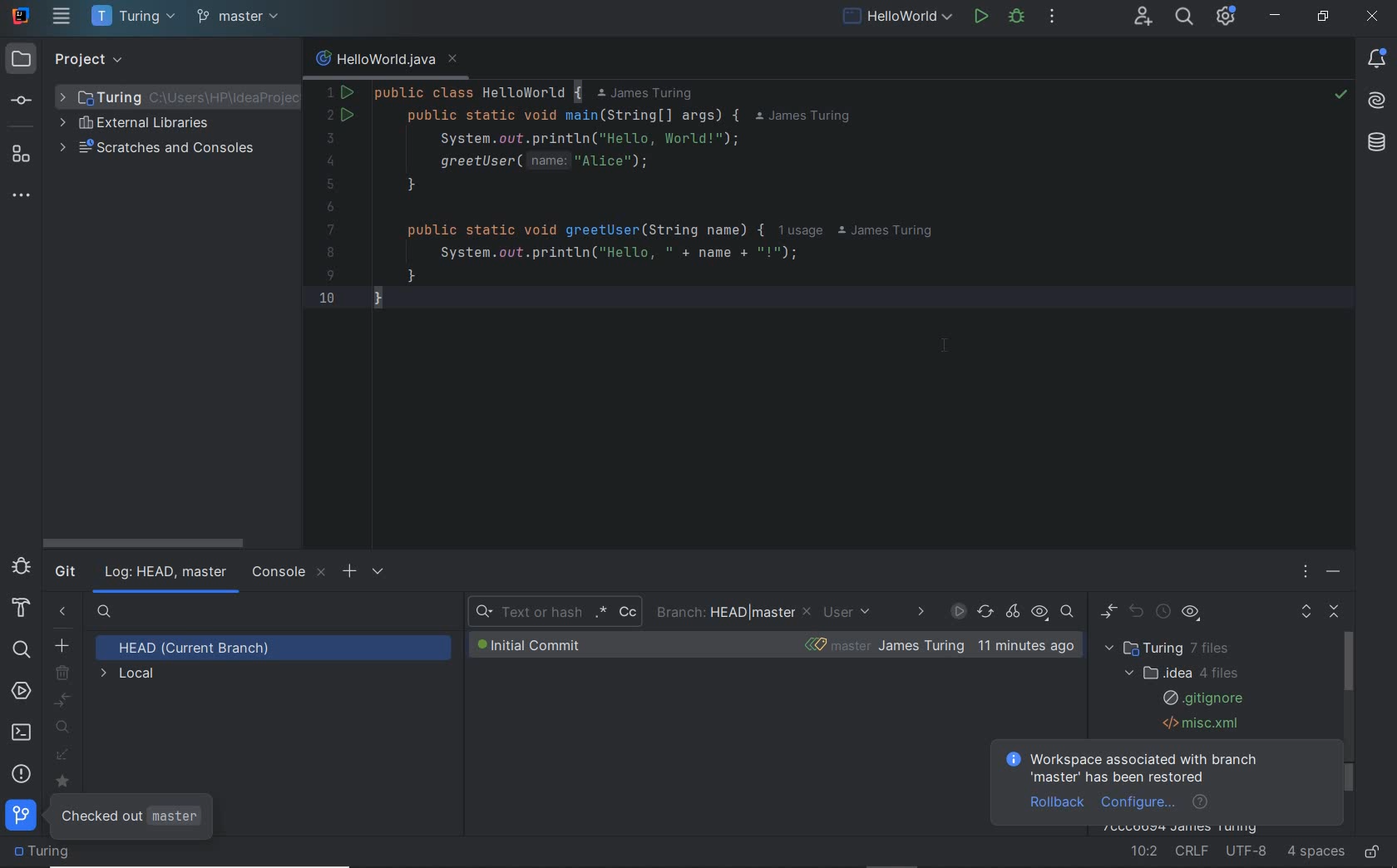 This screenshot has width=1397, height=868. Describe the element at coordinates (1145, 850) in the screenshot. I see `go to line` at that location.